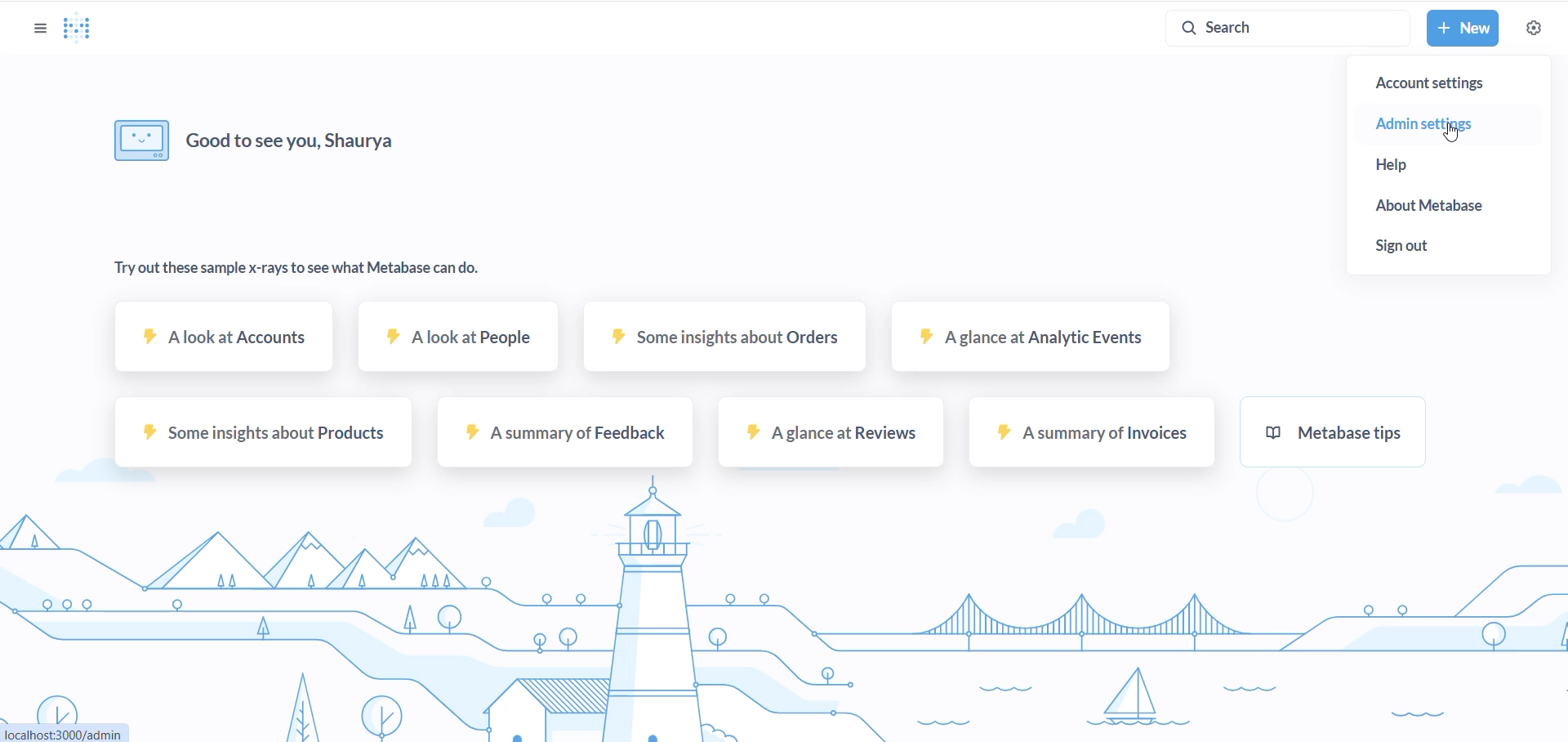 The height and width of the screenshot is (742, 1568). Describe the element at coordinates (1414, 165) in the screenshot. I see `help` at that location.